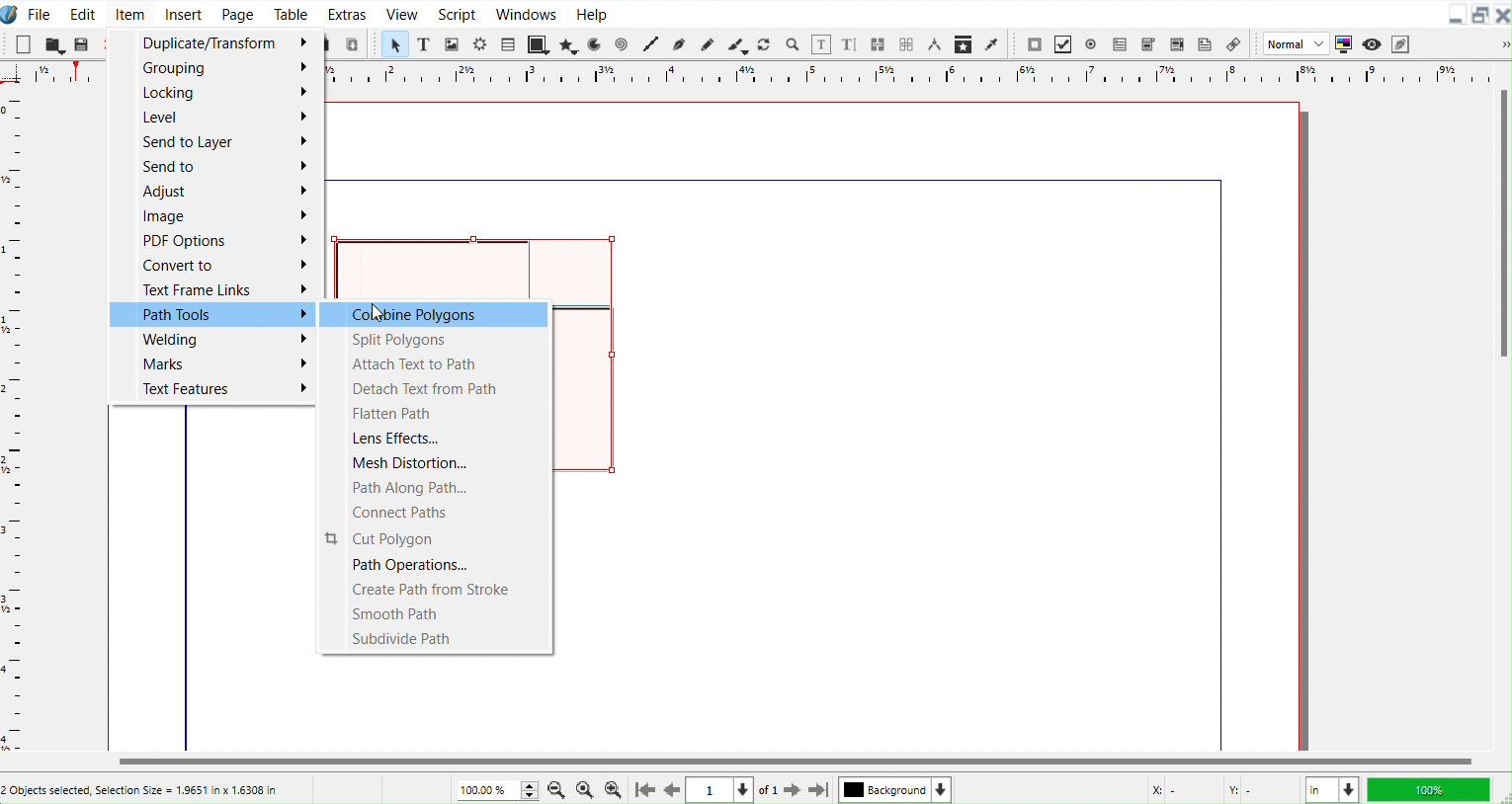  I want to click on Select current page, so click(721, 790).